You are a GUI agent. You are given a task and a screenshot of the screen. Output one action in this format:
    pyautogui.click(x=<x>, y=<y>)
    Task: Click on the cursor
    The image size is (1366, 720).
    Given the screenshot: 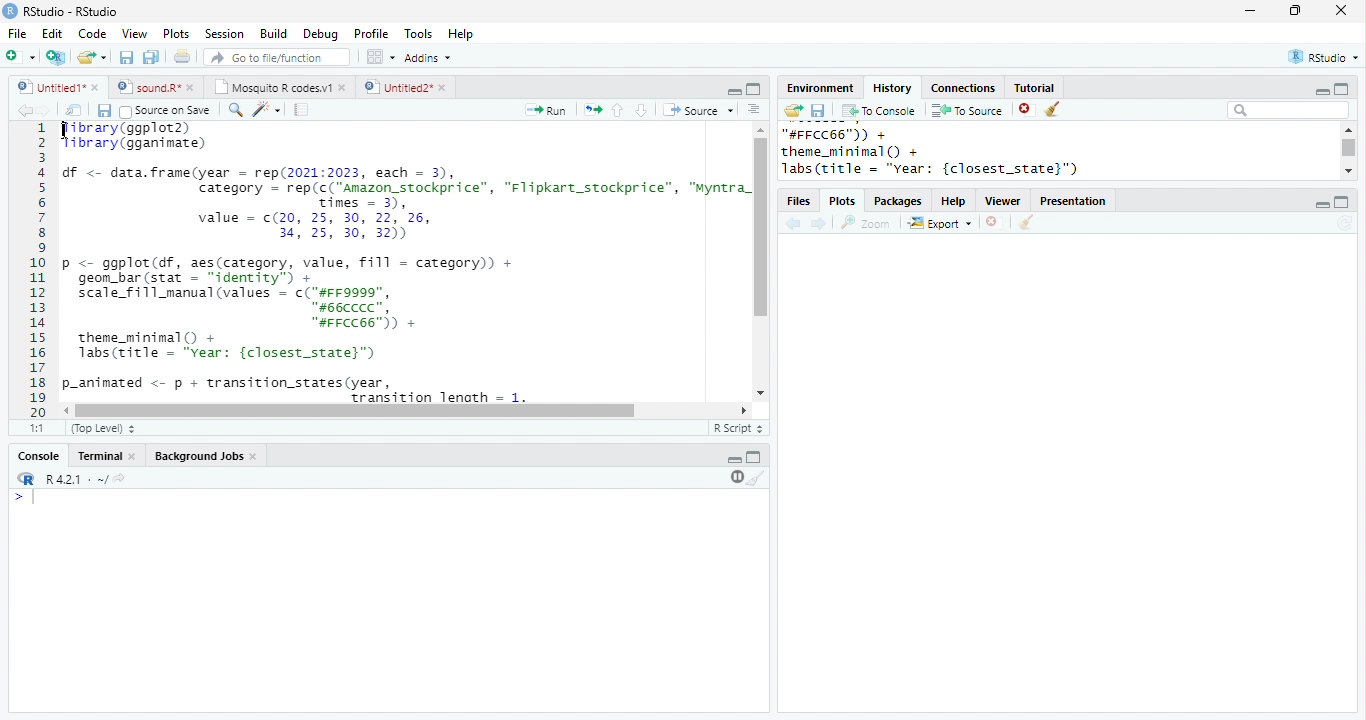 What is the action you would take?
    pyautogui.click(x=66, y=131)
    